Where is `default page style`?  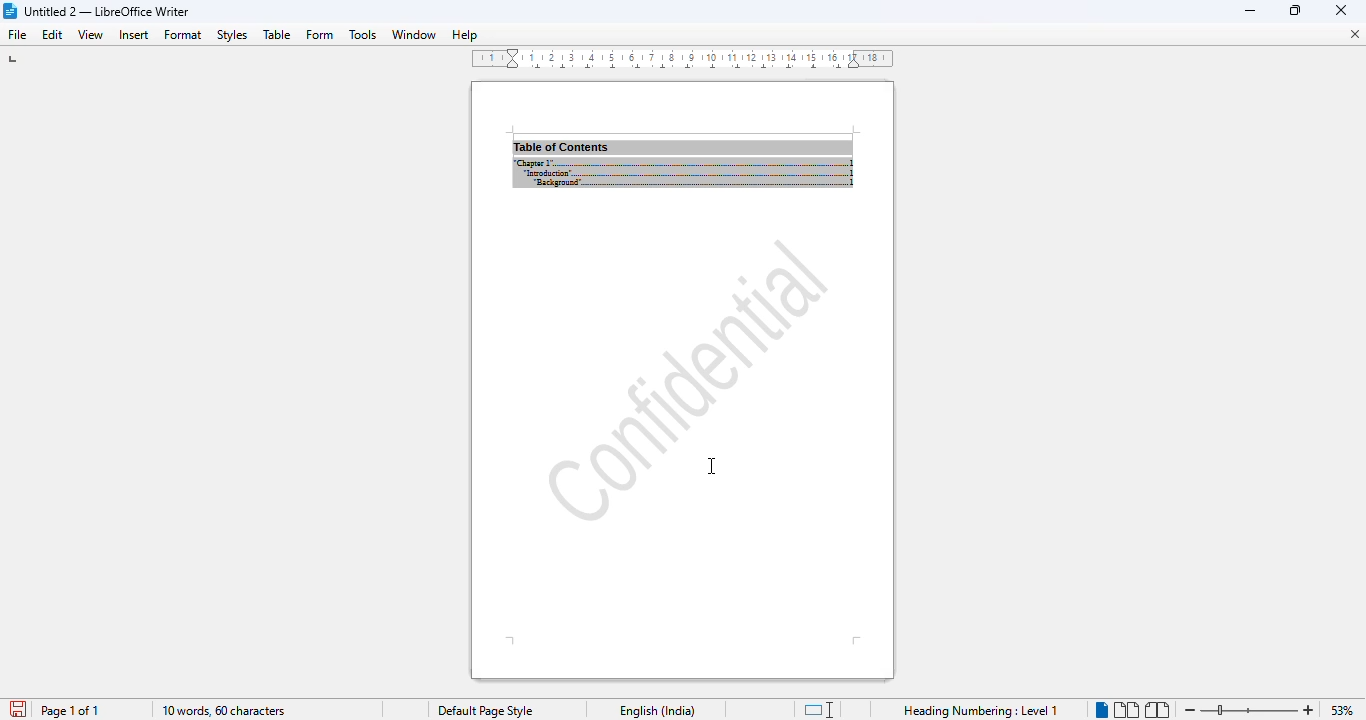
default page style is located at coordinates (488, 710).